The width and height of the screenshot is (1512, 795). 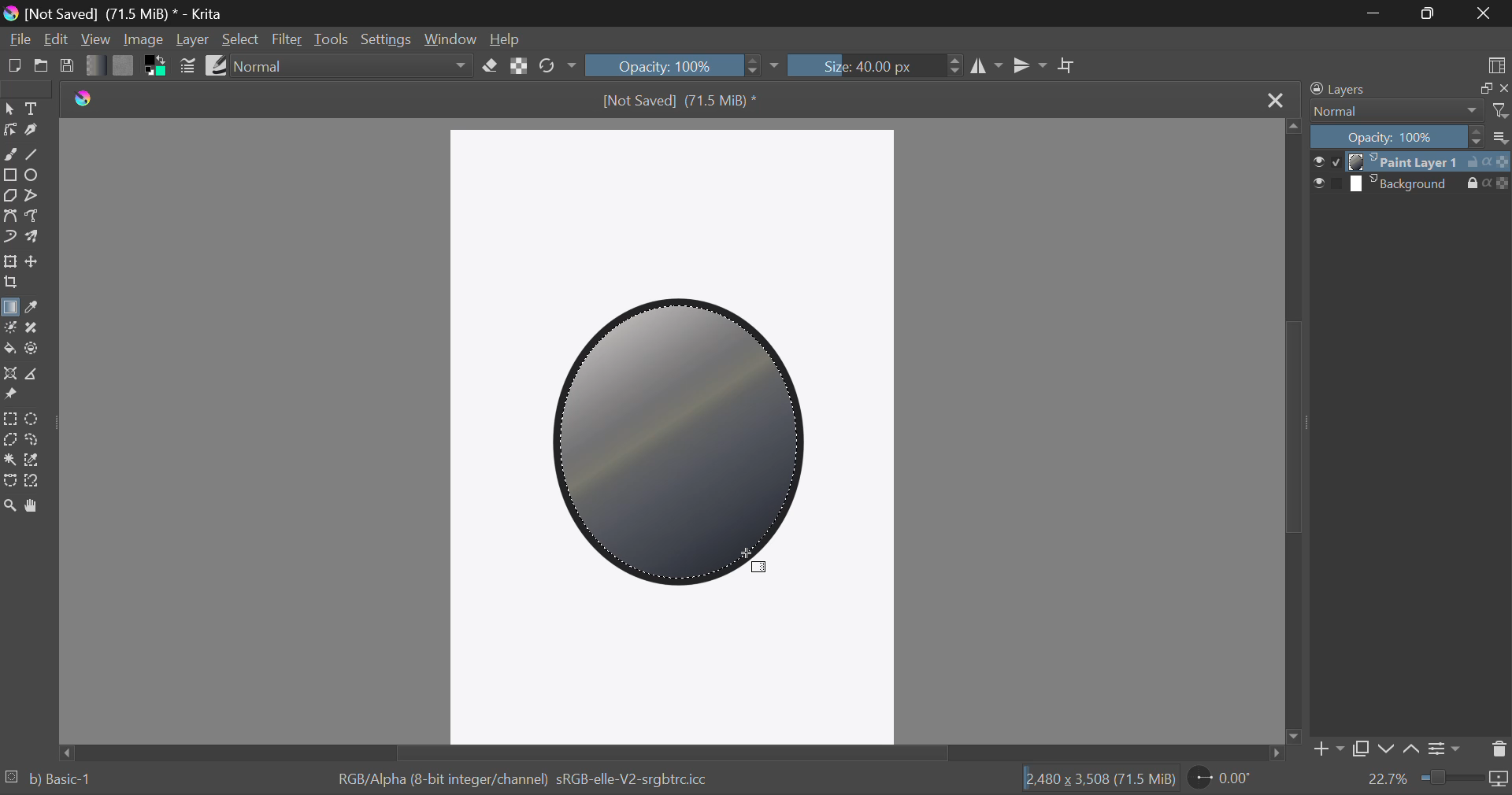 I want to click on Rectangle, so click(x=11, y=177).